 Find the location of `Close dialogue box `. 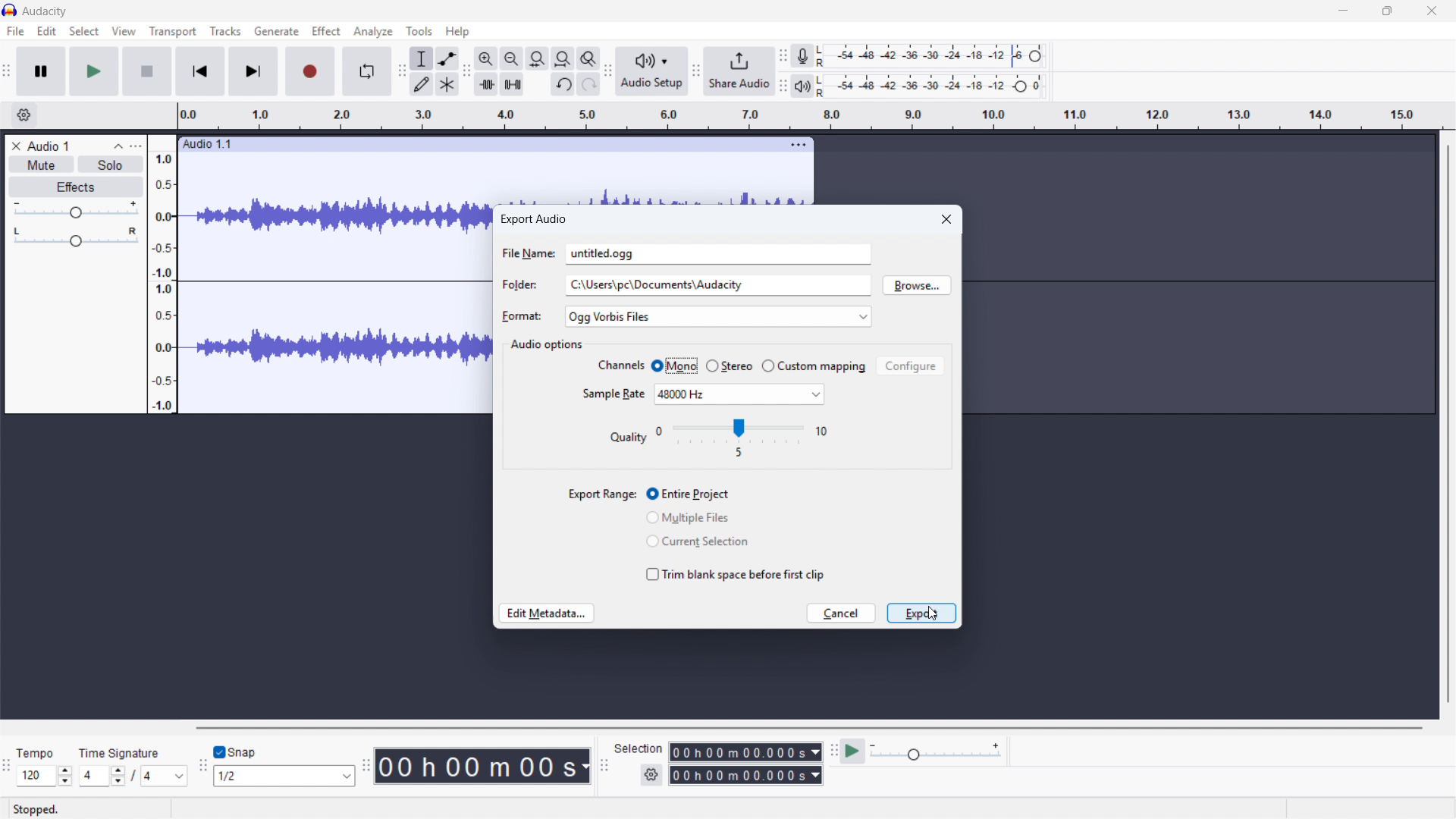

Close dialogue box  is located at coordinates (947, 218).